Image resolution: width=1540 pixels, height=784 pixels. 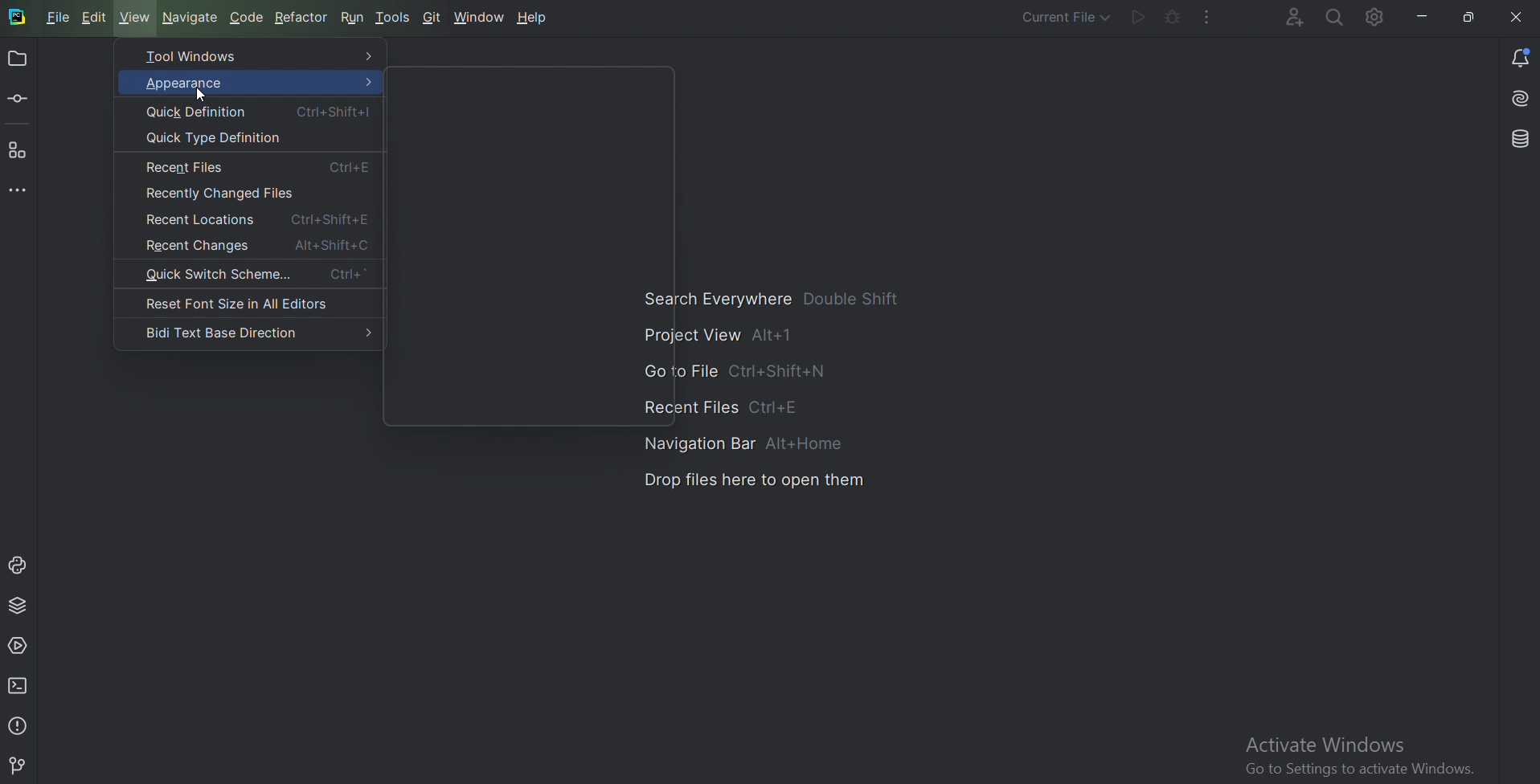 I want to click on Run, so click(x=354, y=16).